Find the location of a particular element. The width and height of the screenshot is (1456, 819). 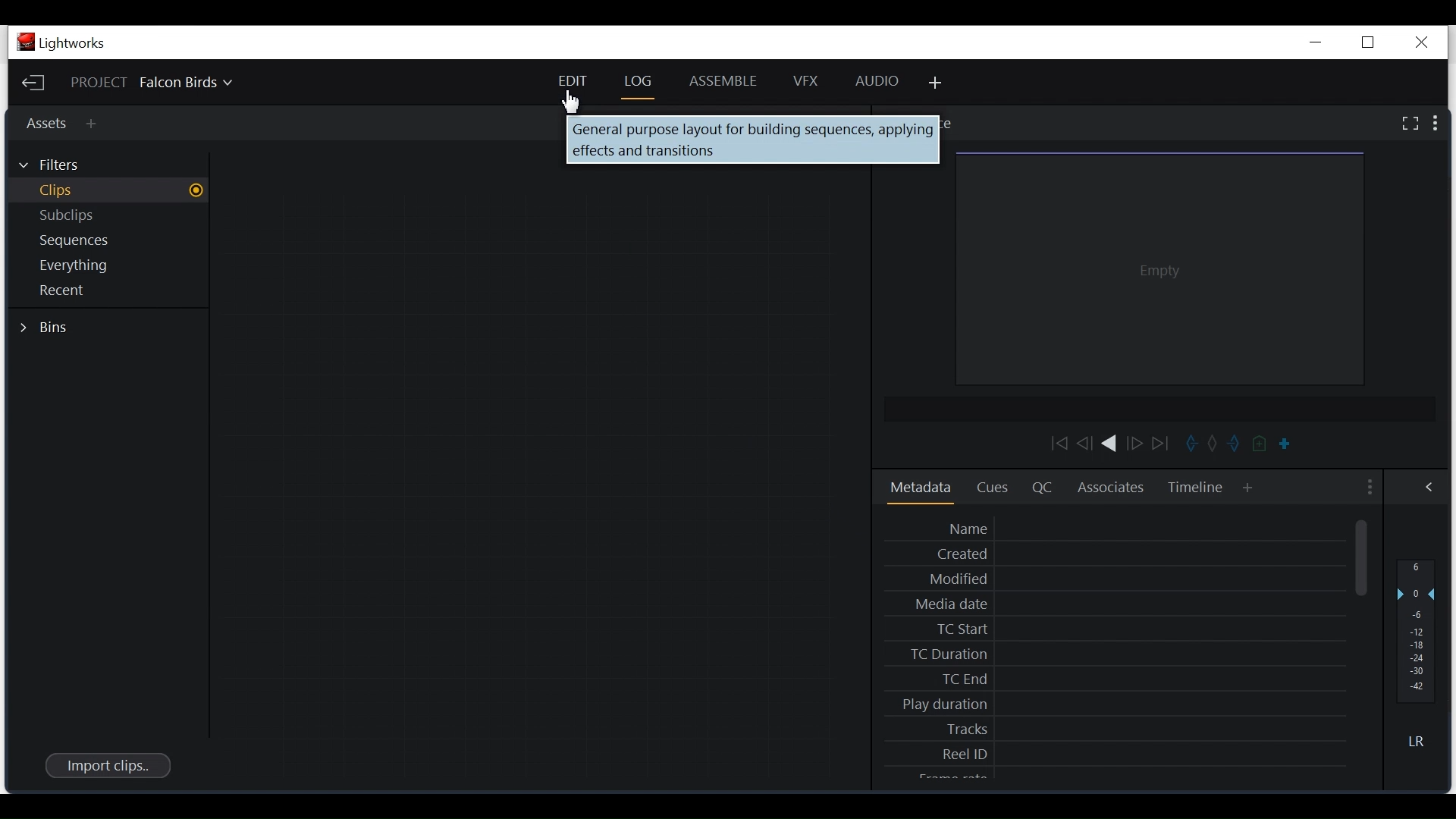

VFX is located at coordinates (811, 81).